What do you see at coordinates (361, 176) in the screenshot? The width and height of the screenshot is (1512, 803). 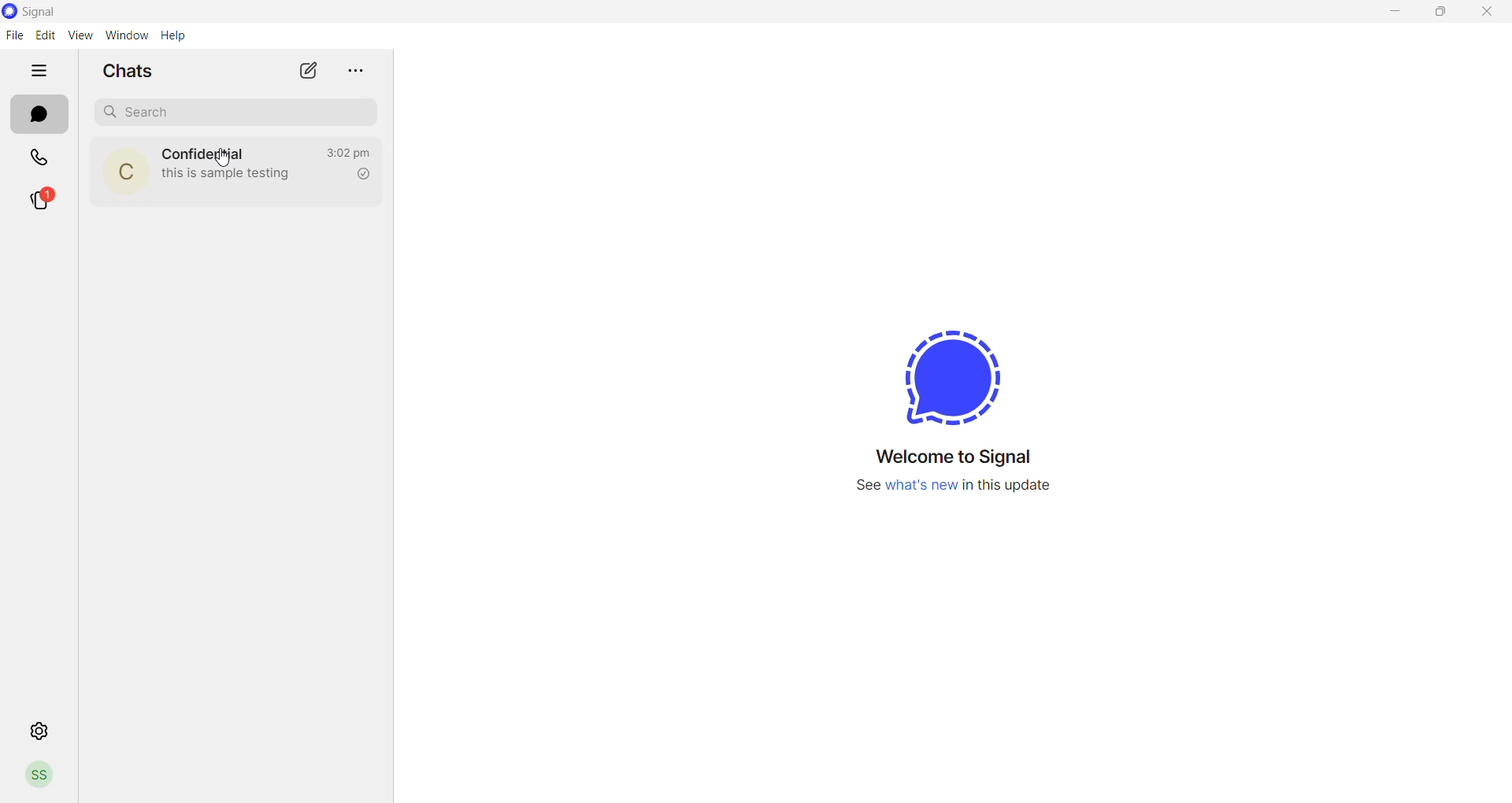 I see `read recipient ` at bounding box center [361, 176].